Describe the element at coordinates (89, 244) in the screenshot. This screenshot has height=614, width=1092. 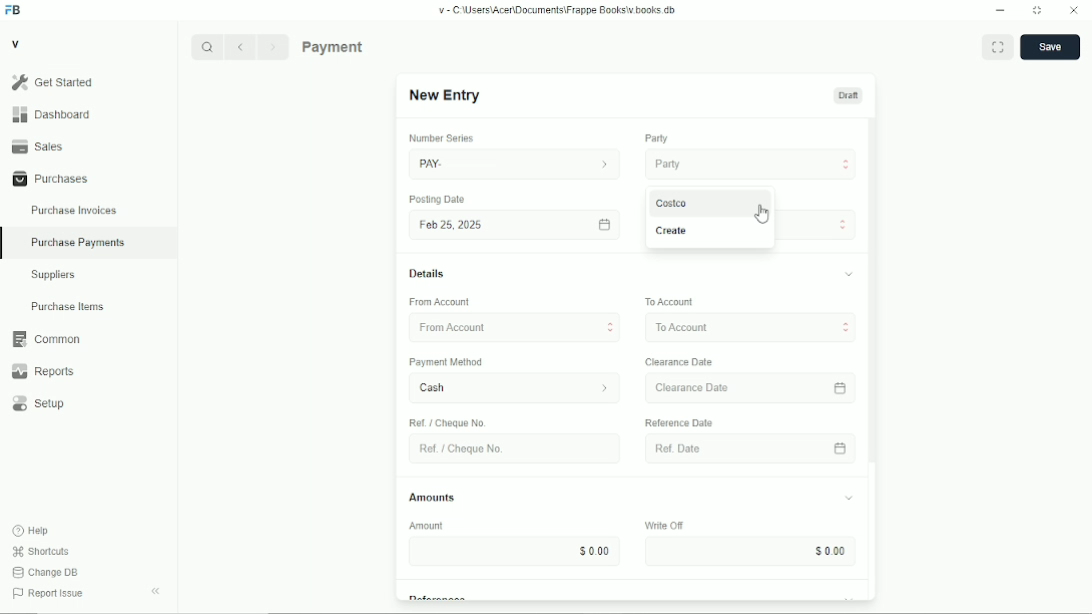
I see `Purchase Payments` at that location.